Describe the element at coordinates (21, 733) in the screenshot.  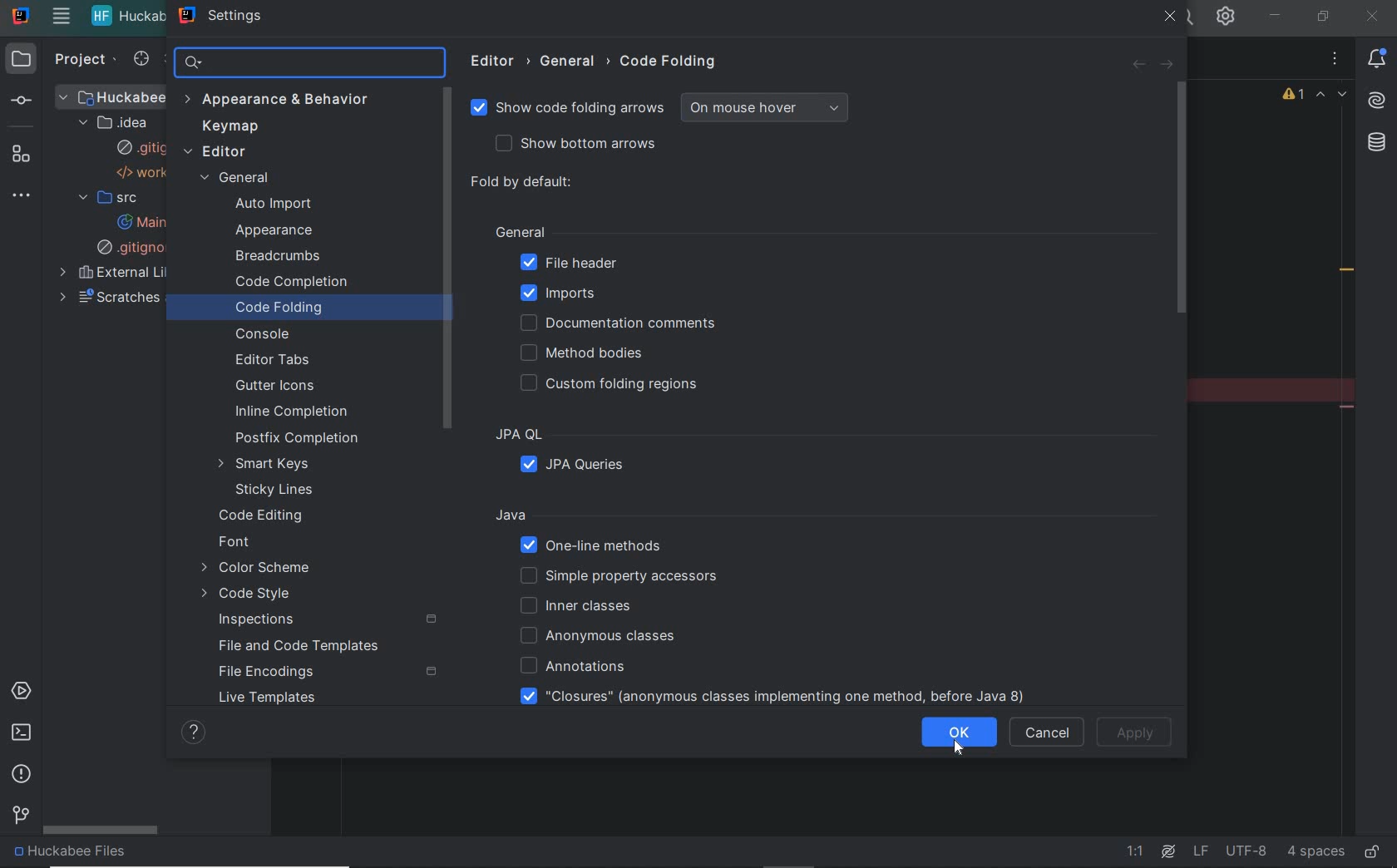
I see `terminal` at that location.